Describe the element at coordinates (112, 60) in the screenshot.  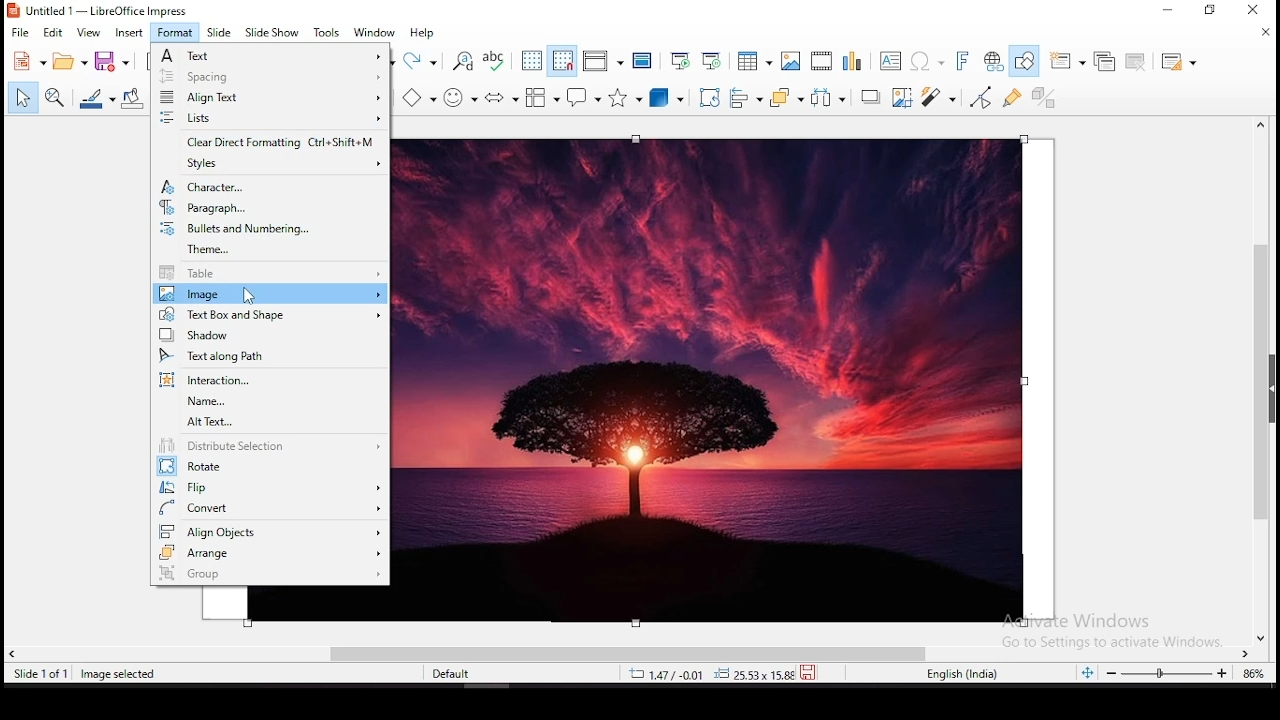
I see `save` at that location.